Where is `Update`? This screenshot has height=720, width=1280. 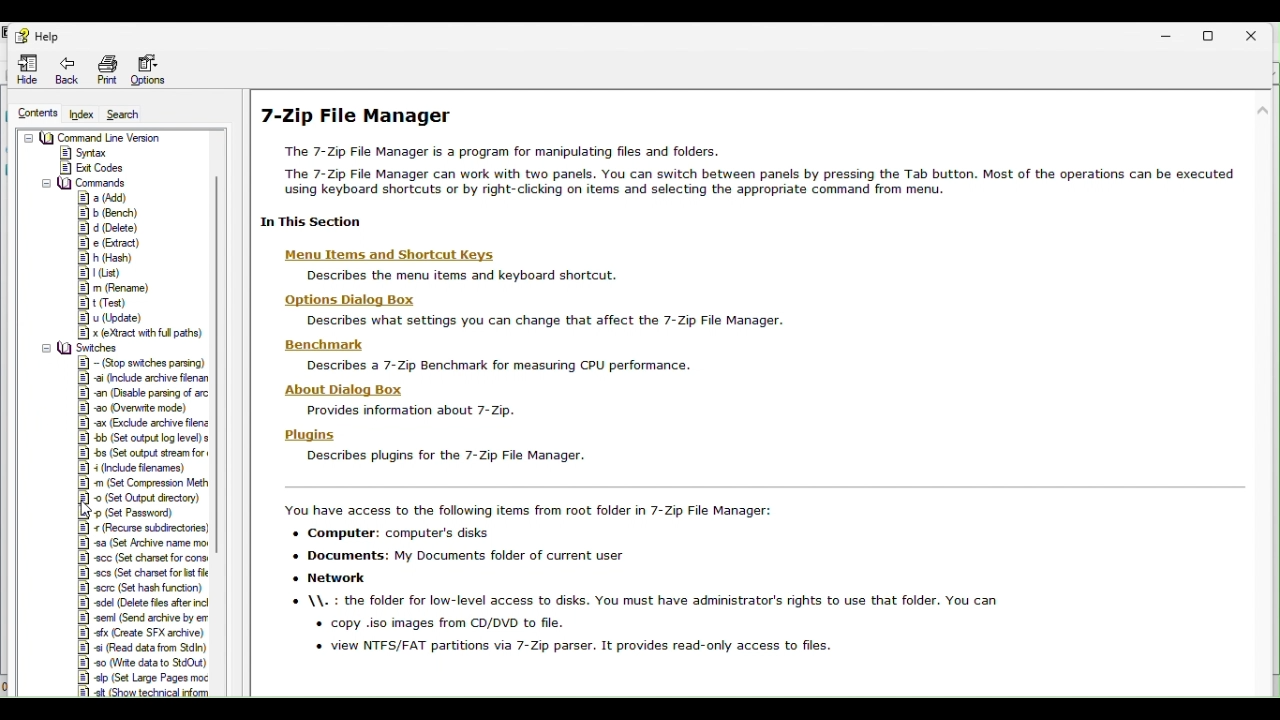 Update is located at coordinates (108, 319).